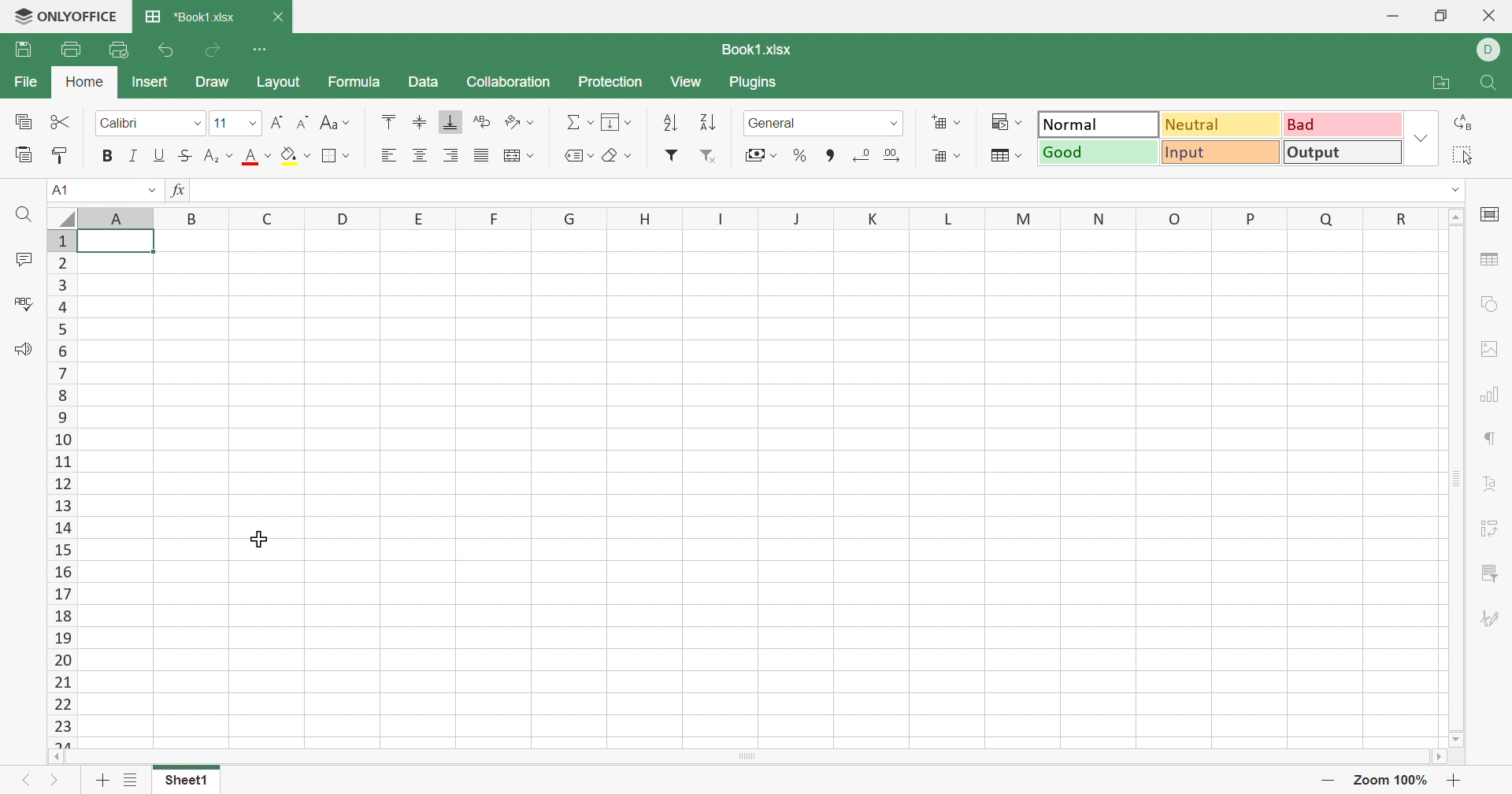 The image size is (1512, 794). I want to click on Input, so click(1217, 154).